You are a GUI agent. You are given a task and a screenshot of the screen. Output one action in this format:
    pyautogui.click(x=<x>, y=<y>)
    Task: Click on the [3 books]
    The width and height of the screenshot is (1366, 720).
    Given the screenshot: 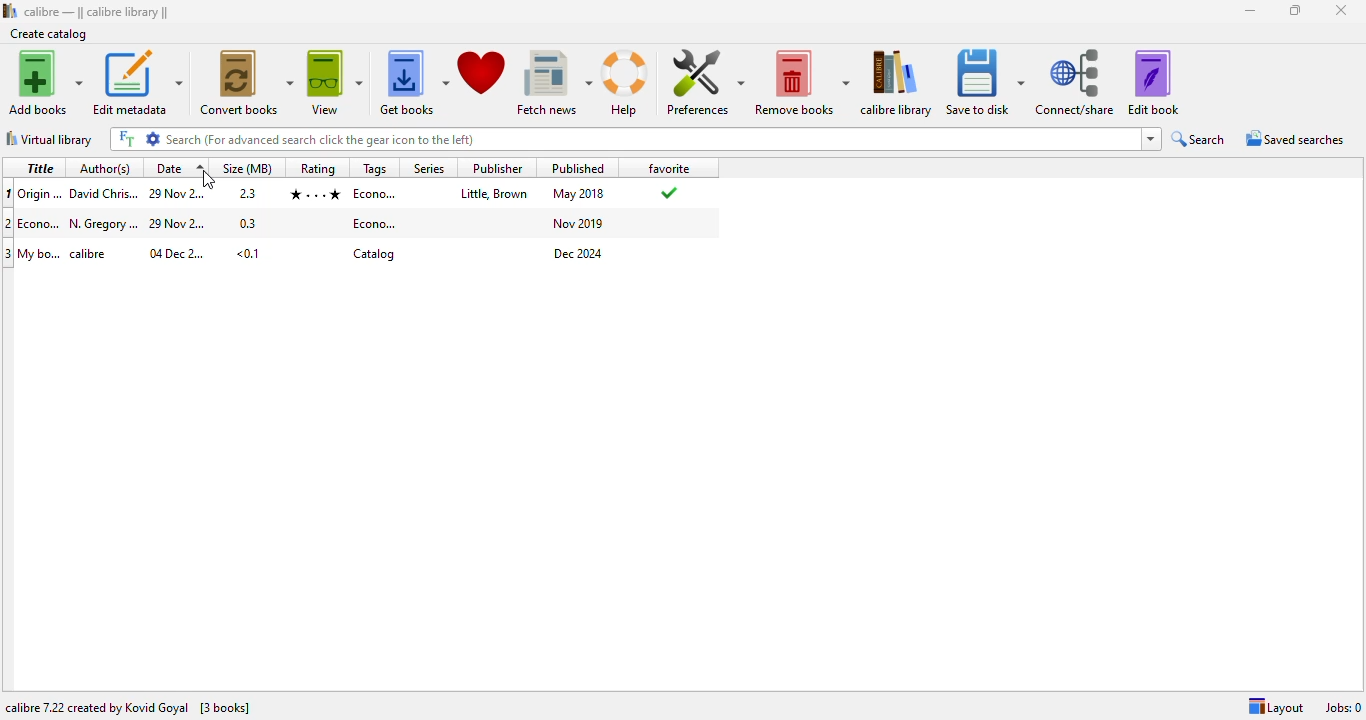 What is the action you would take?
    pyautogui.click(x=225, y=709)
    